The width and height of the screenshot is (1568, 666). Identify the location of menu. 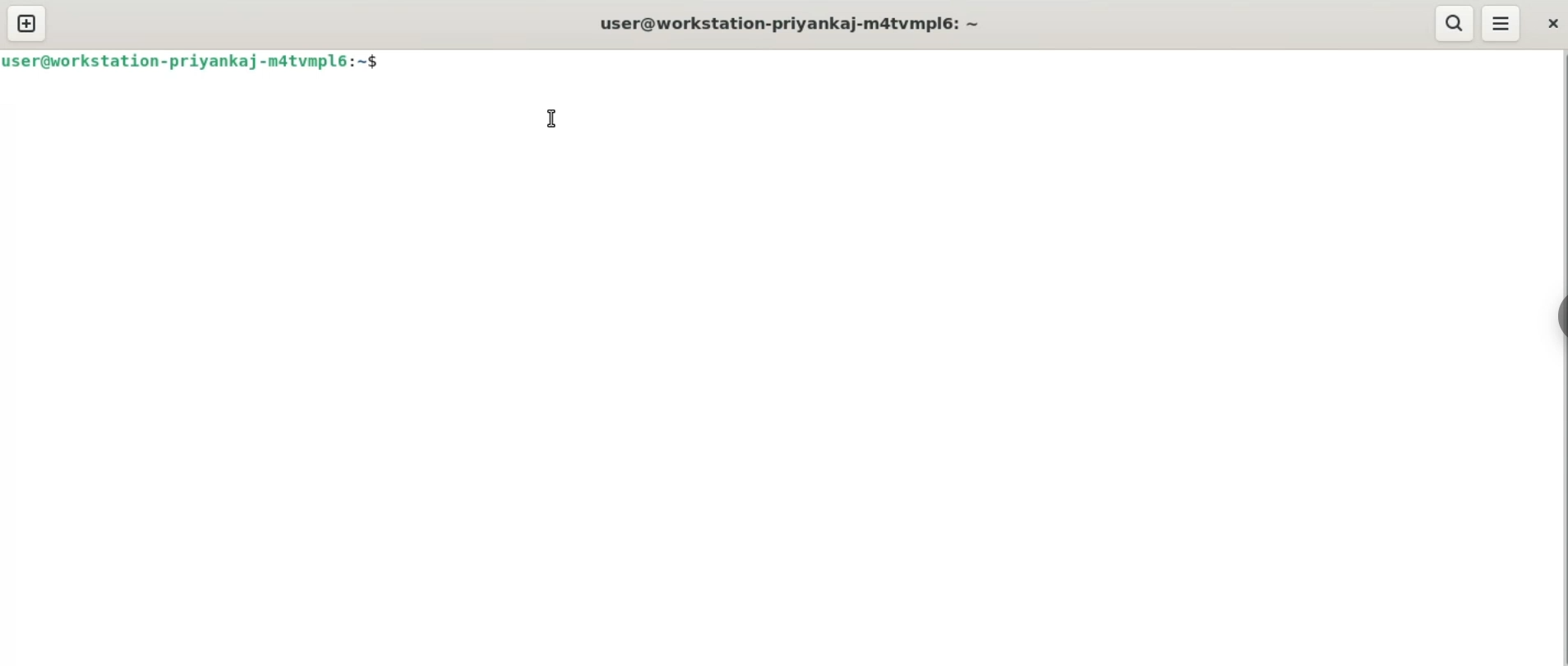
(1502, 23).